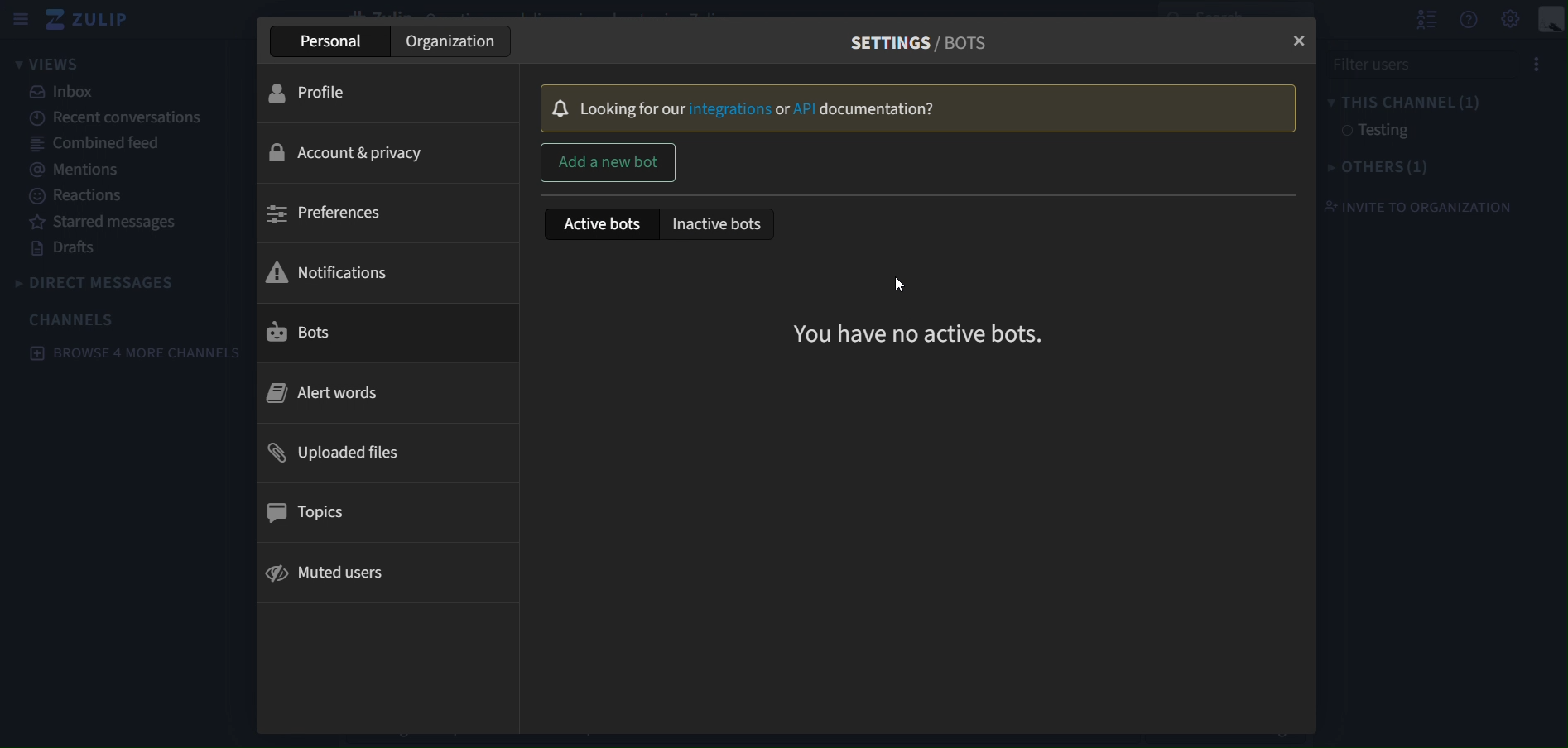  What do you see at coordinates (1374, 132) in the screenshot?
I see `testing` at bounding box center [1374, 132].